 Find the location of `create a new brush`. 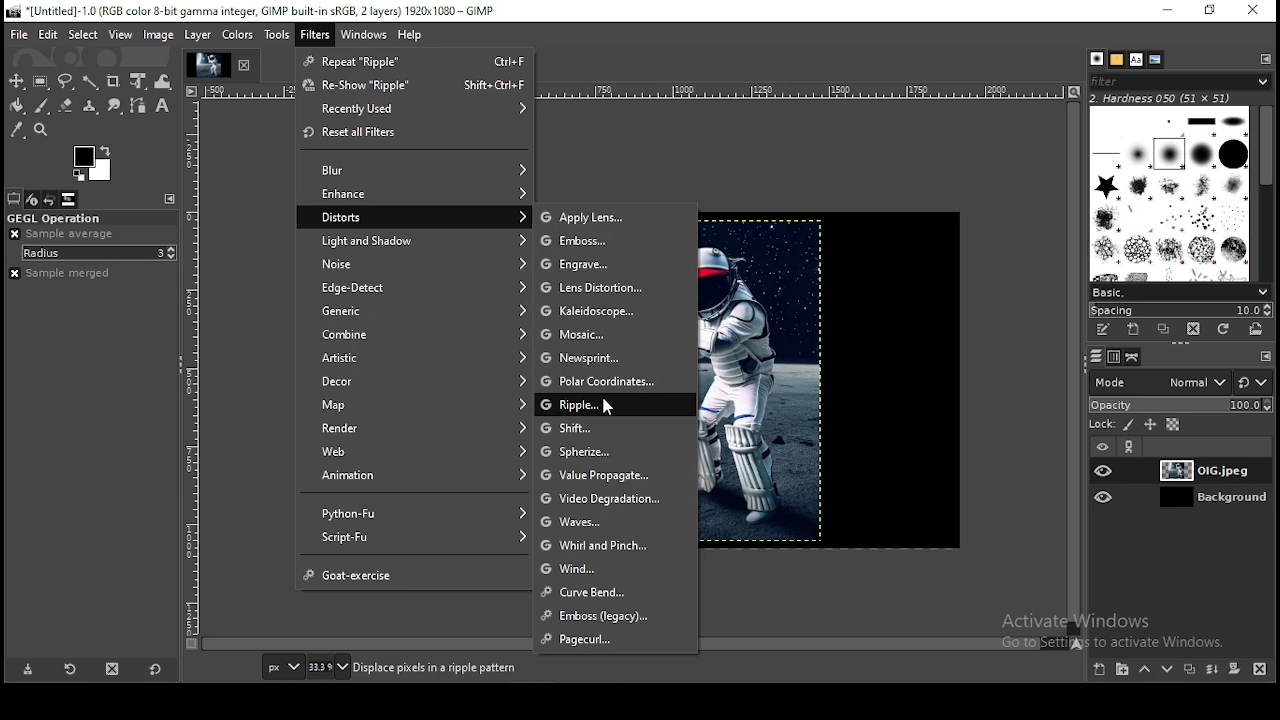

create a new brush is located at coordinates (1134, 330).